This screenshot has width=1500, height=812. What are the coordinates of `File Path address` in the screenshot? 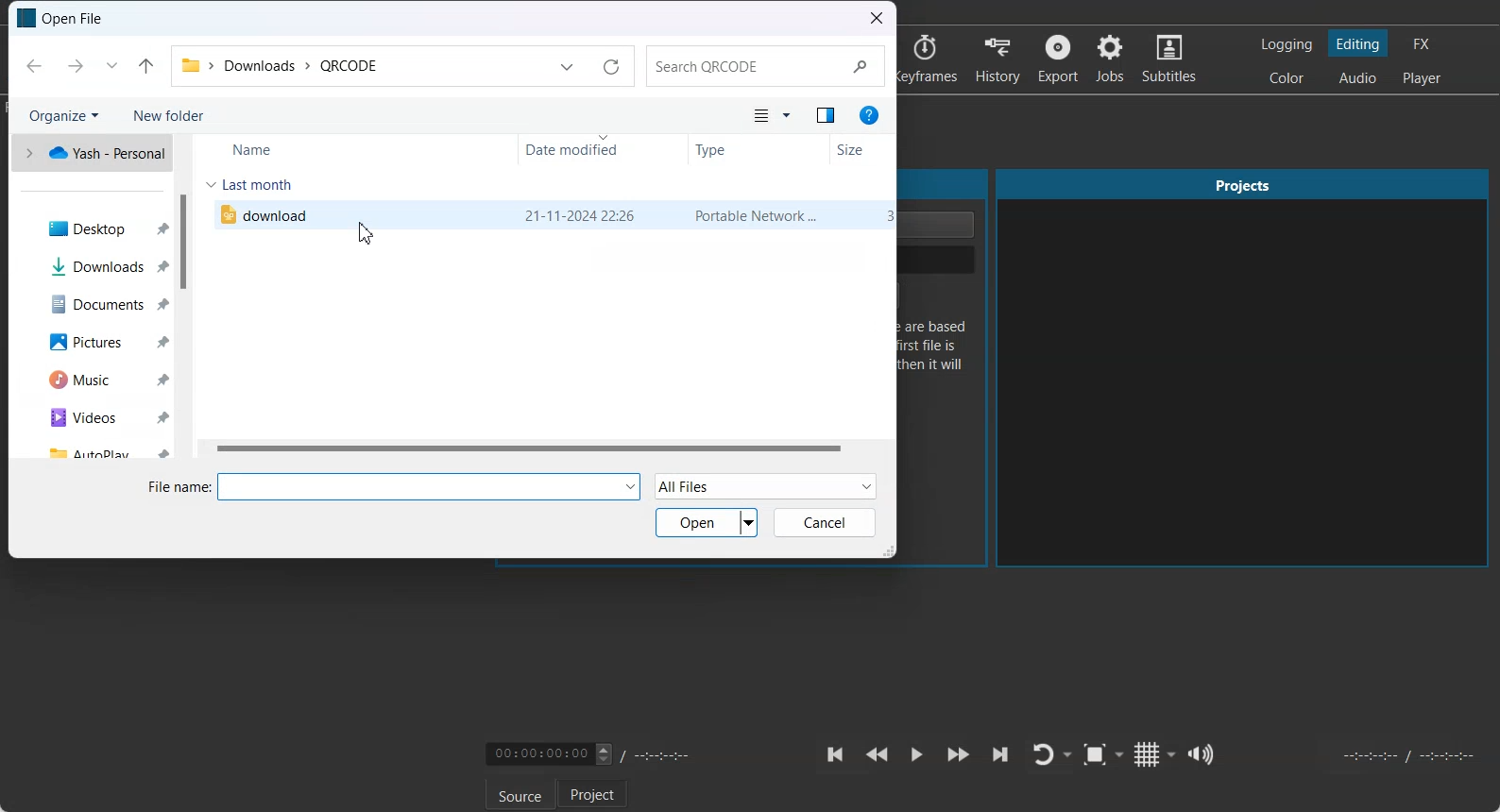 It's located at (281, 64).